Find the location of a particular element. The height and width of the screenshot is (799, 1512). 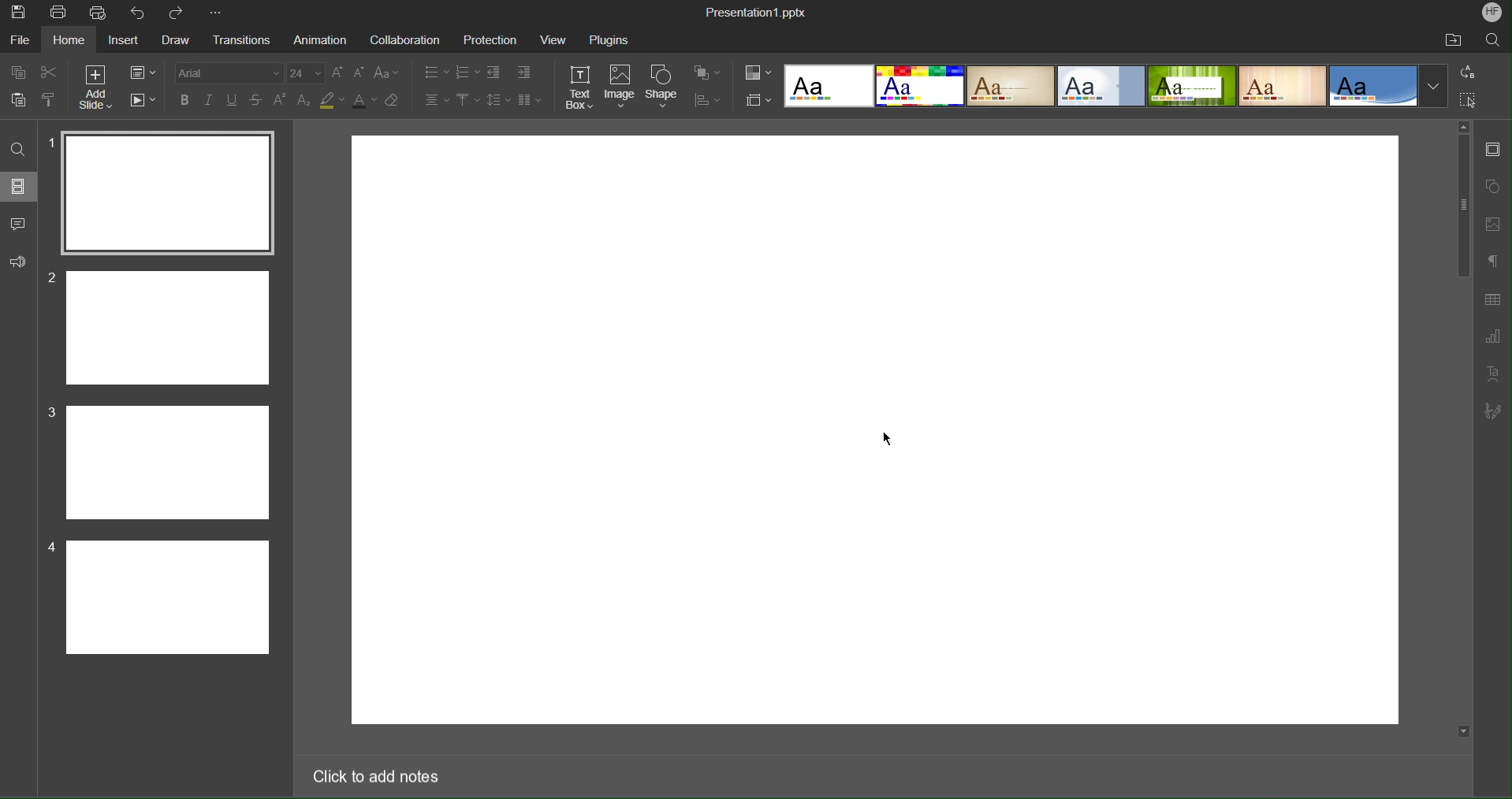

Vertical Align is located at coordinates (467, 98).